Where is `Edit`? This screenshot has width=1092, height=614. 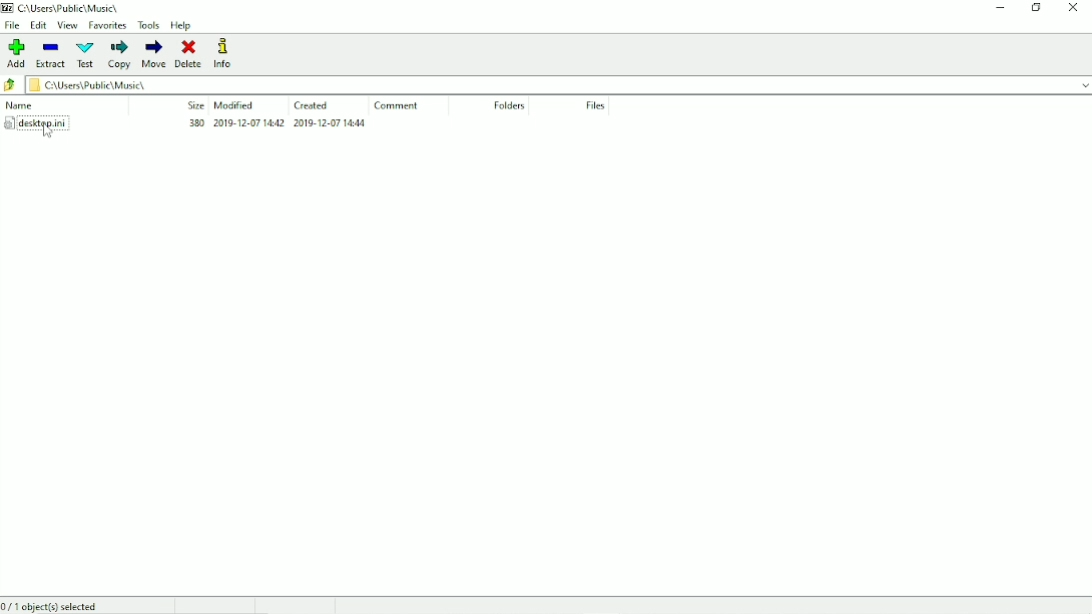
Edit is located at coordinates (39, 25).